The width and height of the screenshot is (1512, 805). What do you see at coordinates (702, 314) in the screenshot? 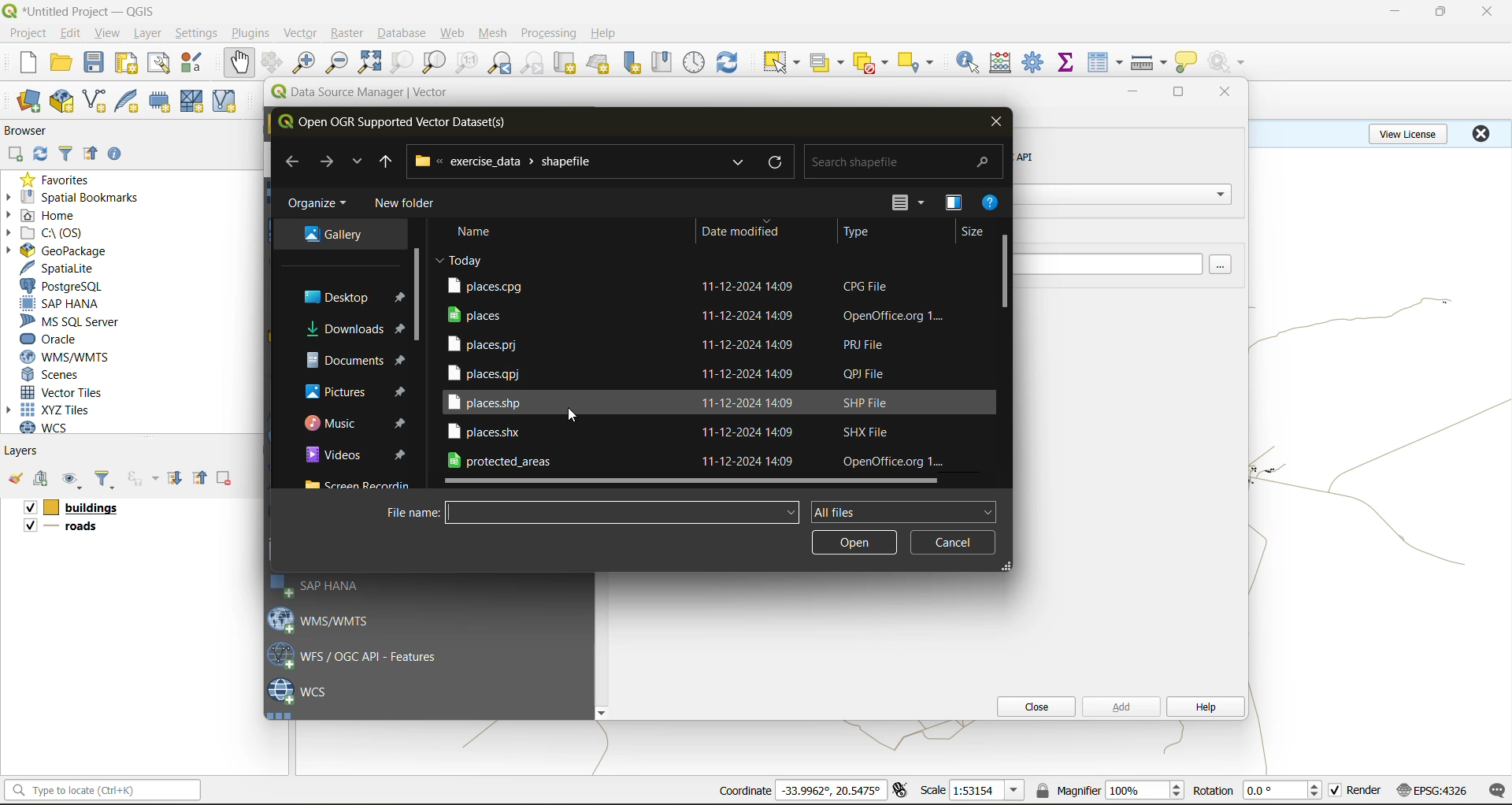
I see `file/folder names` at bounding box center [702, 314].